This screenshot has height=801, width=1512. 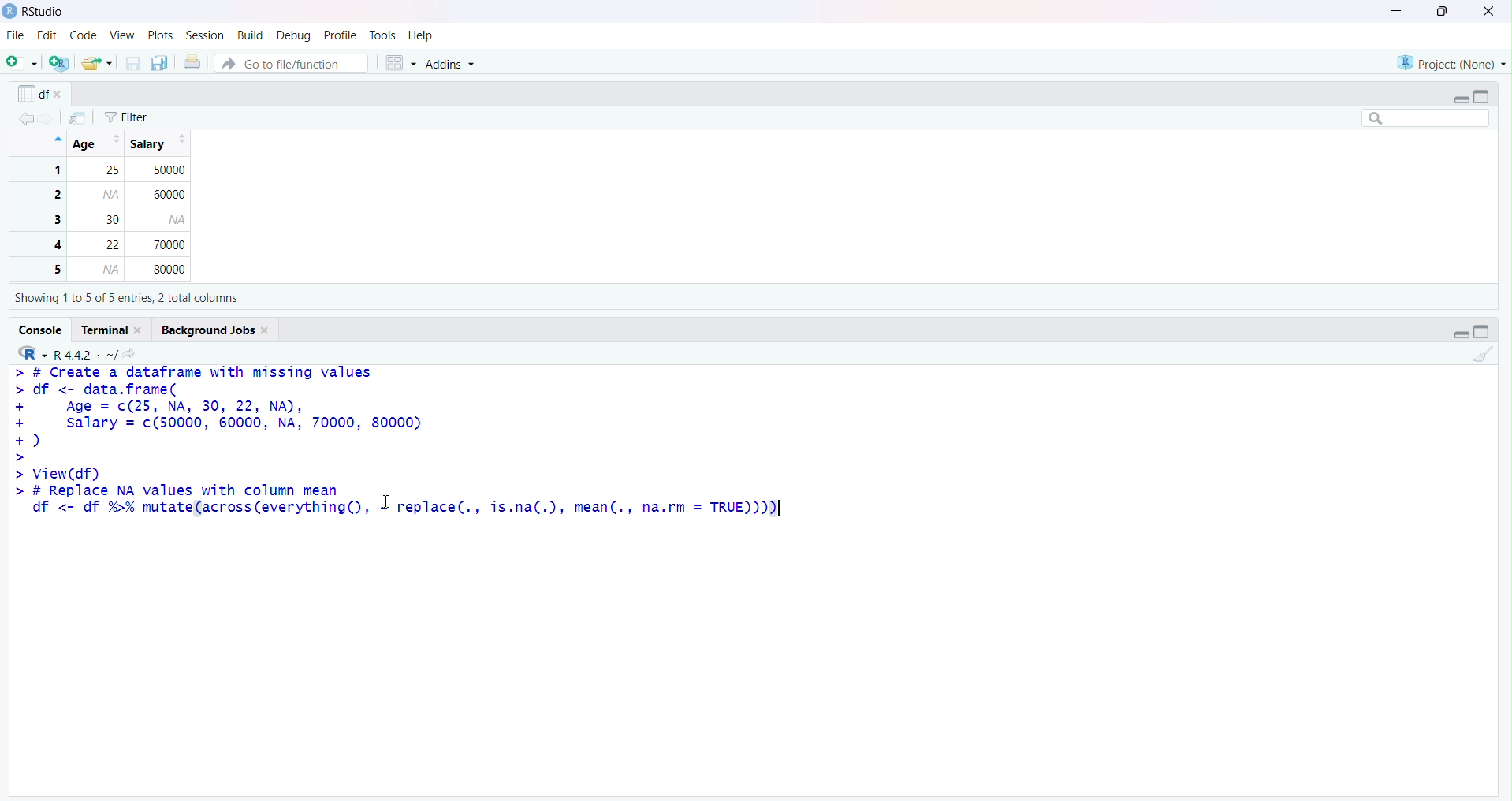 What do you see at coordinates (192, 61) in the screenshot?
I see `Print the current file` at bounding box center [192, 61].